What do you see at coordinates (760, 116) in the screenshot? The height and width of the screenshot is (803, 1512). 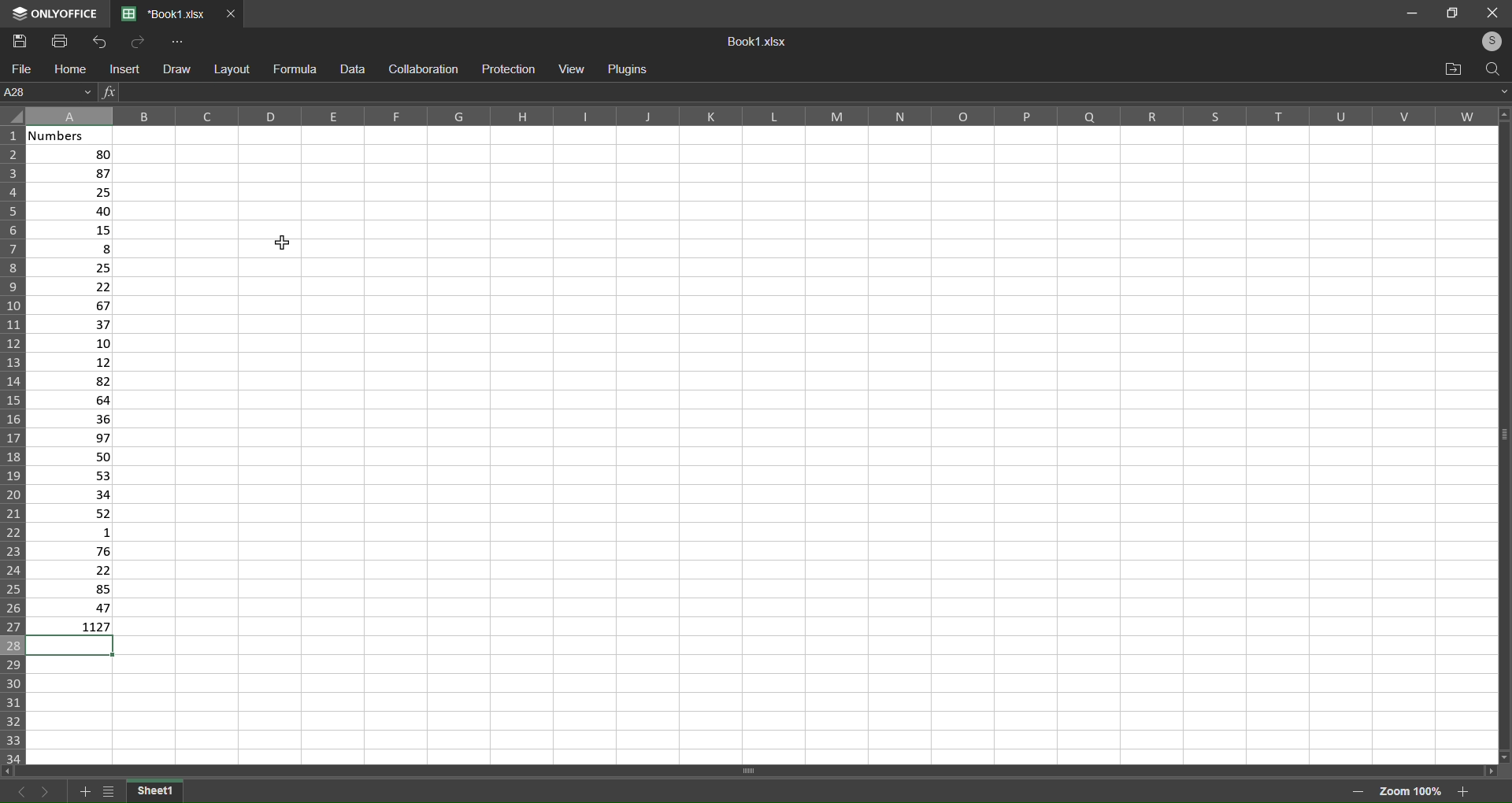 I see `Column label` at bounding box center [760, 116].